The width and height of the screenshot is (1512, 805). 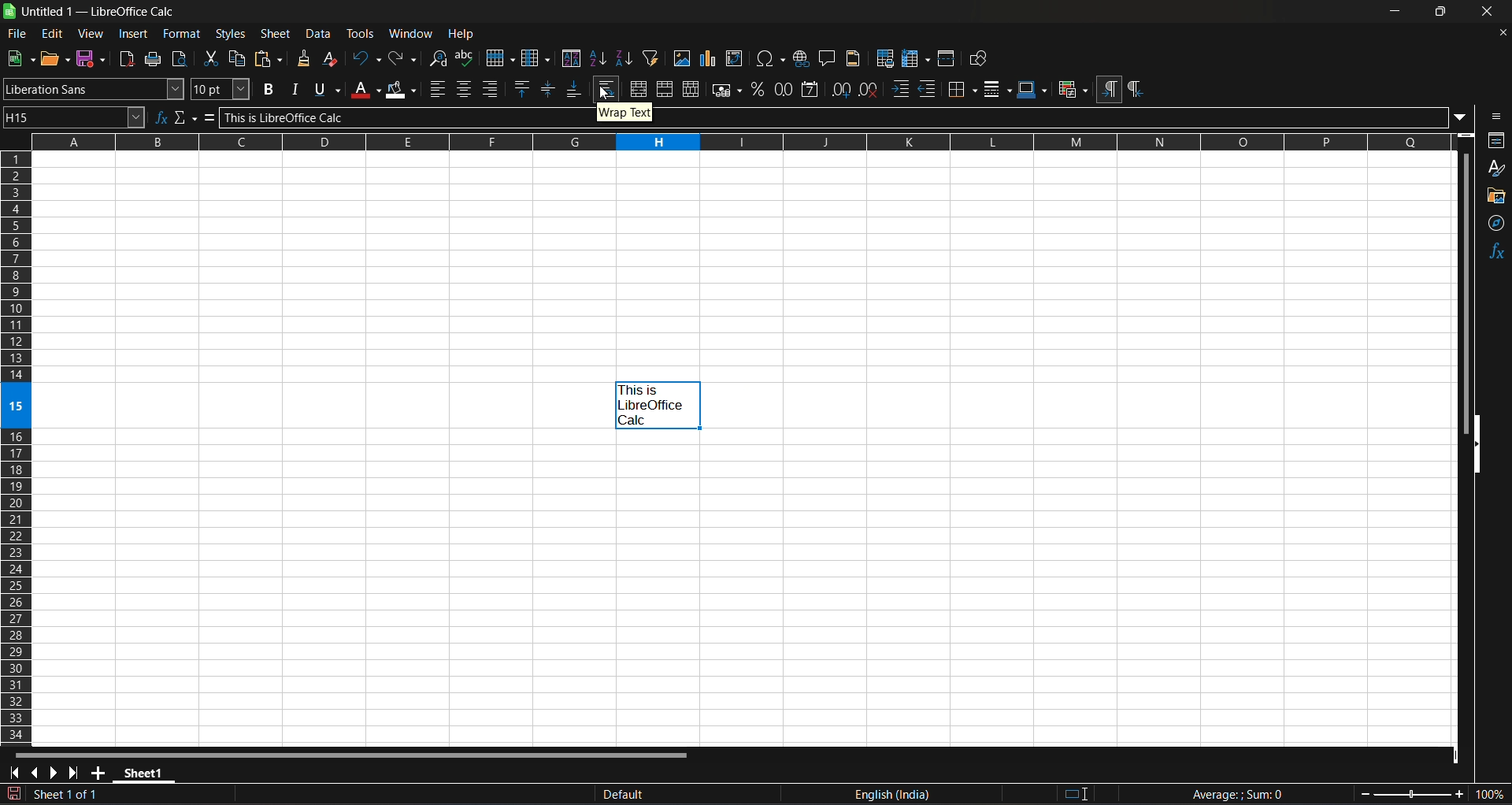 What do you see at coordinates (997, 89) in the screenshot?
I see `border styles` at bounding box center [997, 89].